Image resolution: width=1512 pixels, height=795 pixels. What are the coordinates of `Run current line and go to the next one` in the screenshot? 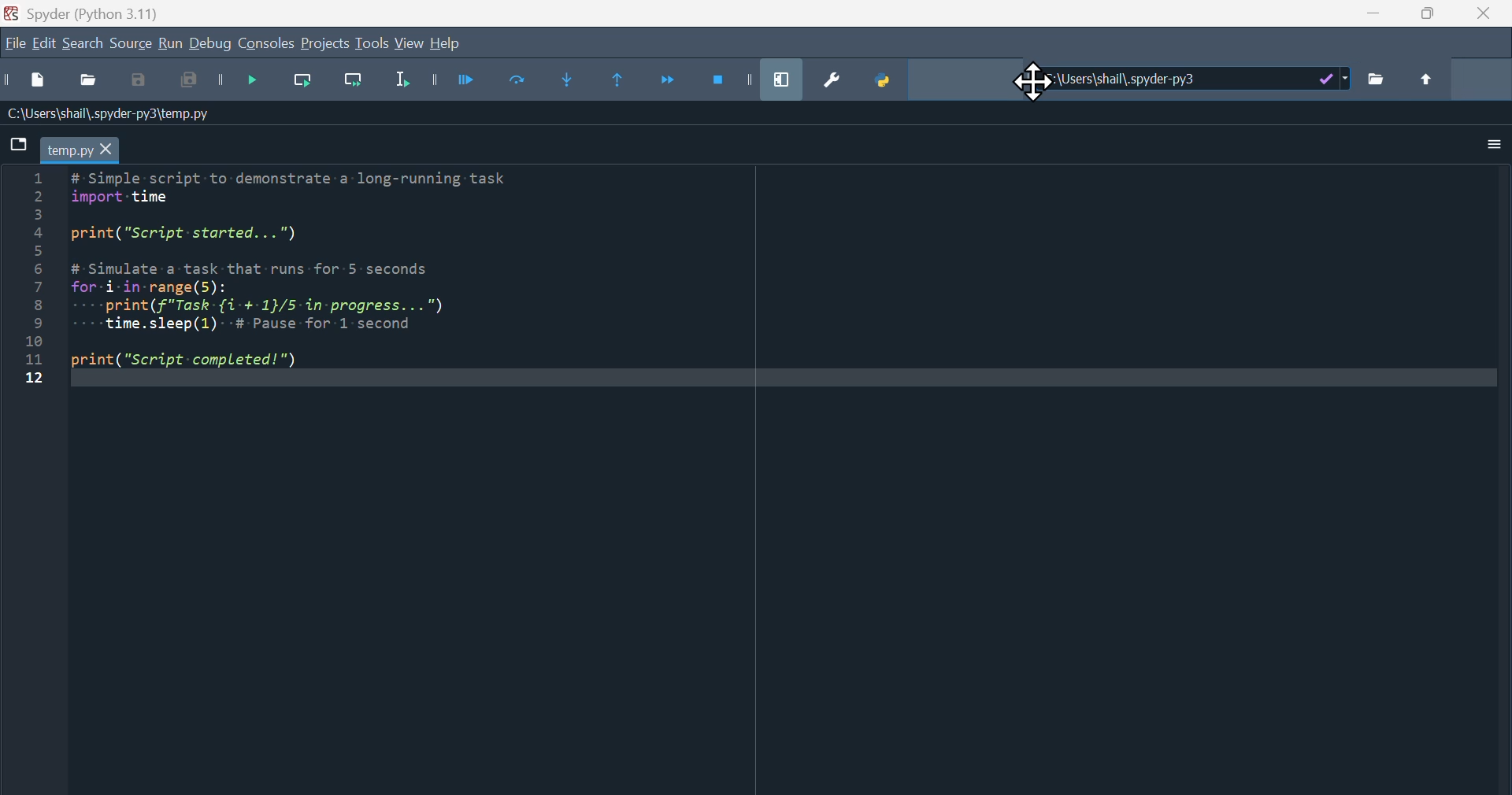 It's located at (355, 83).